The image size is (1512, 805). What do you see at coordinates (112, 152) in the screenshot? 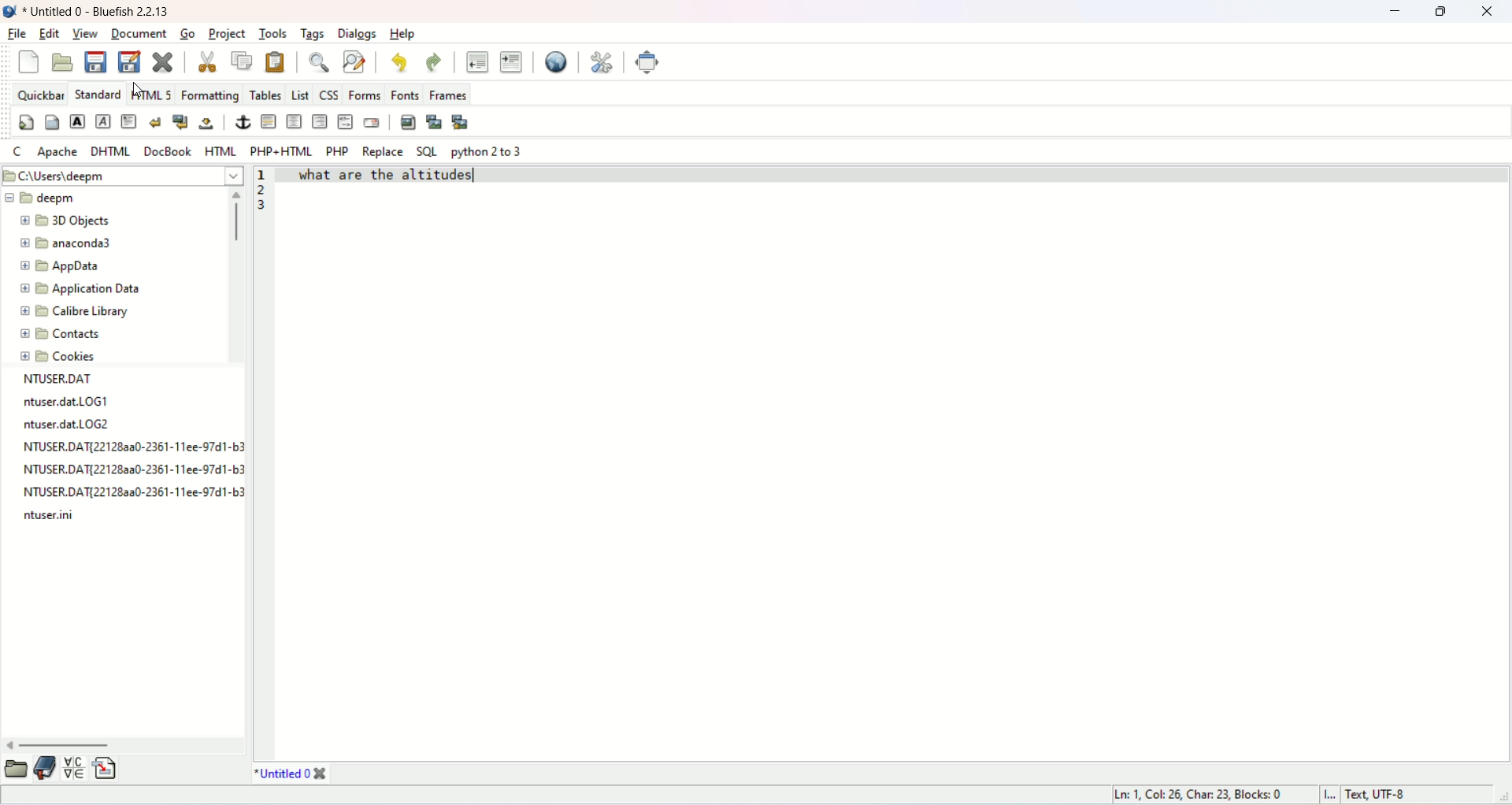
I see `DHTML` at bounding box center [112, 152].